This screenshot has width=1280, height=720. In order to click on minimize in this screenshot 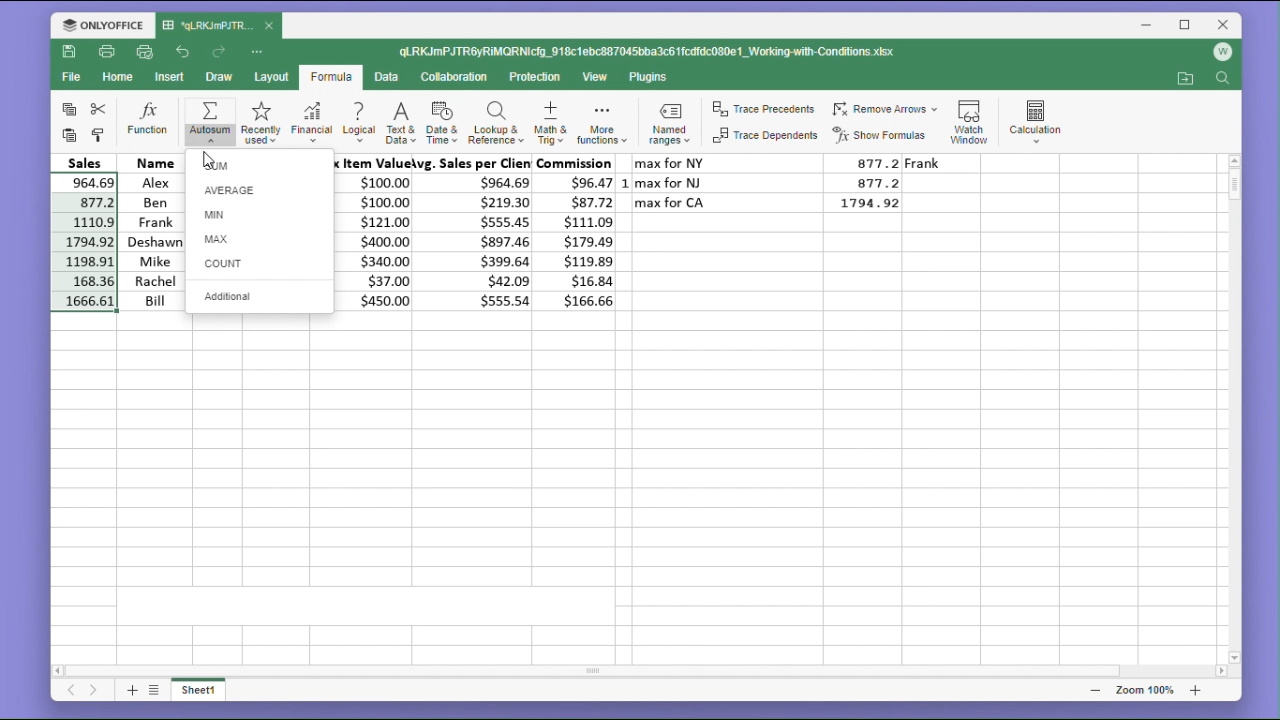, I will do `click(1149, 27)`.